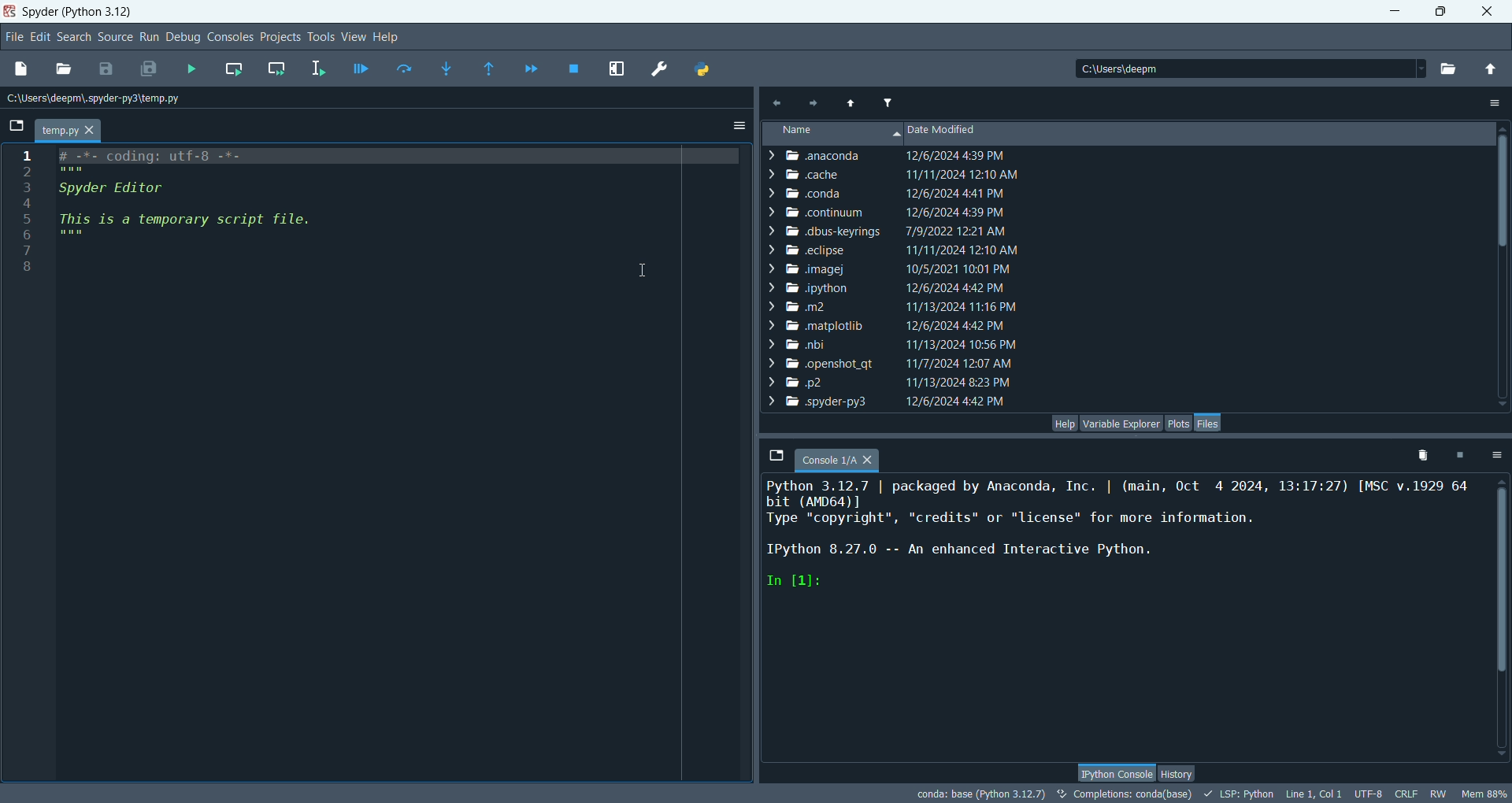 The height and width of the screenshot is (803, 1512). I want to click on vertical scroll bar, so click(1503, 619).